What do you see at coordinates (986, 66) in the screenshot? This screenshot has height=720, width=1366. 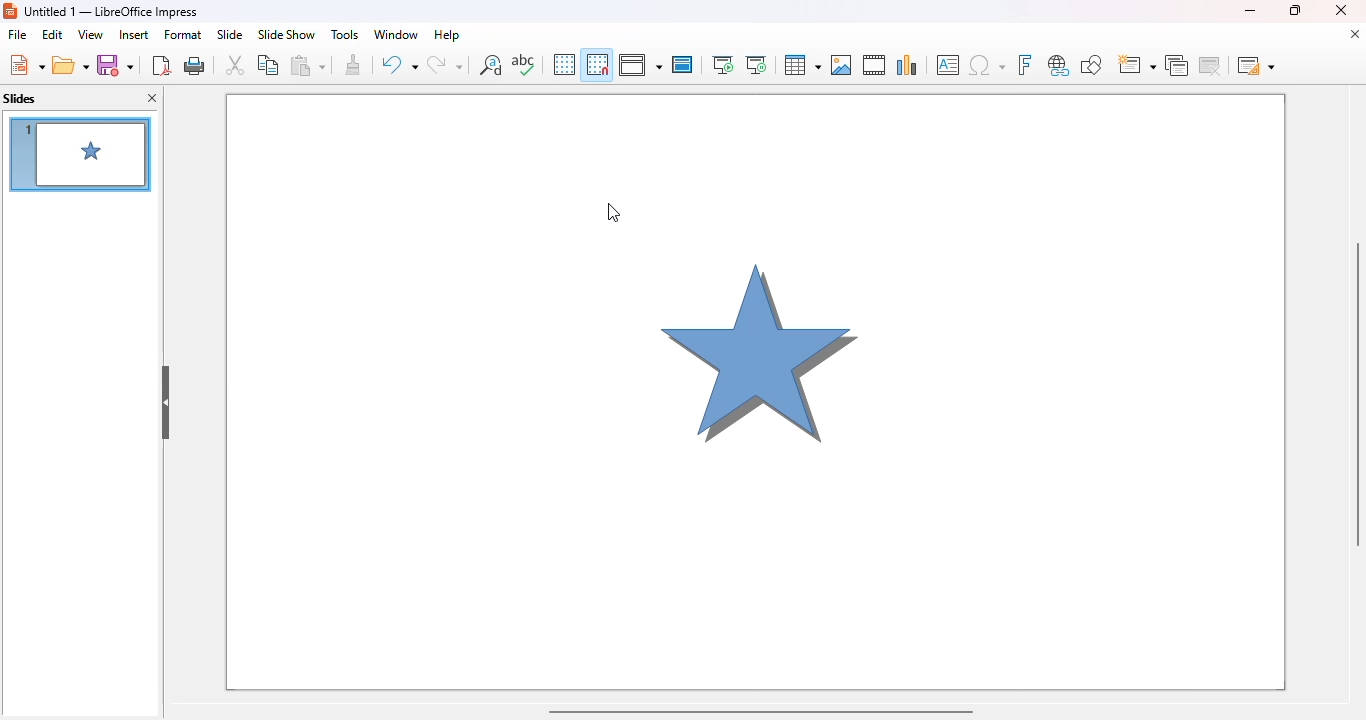 I see `insert special characters` at bounding box center [986, 66].